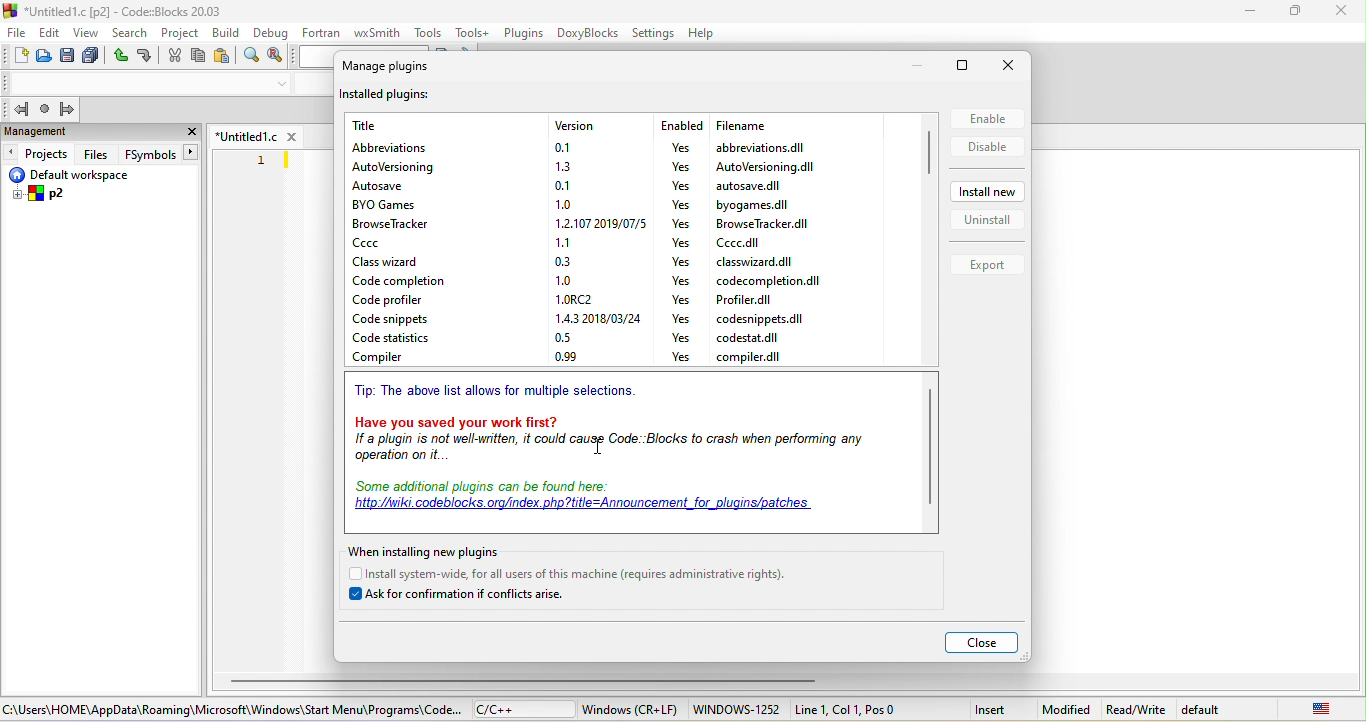  Describe the element at coordinates (679, 319) in the screenshot. I see `yes` at that location.